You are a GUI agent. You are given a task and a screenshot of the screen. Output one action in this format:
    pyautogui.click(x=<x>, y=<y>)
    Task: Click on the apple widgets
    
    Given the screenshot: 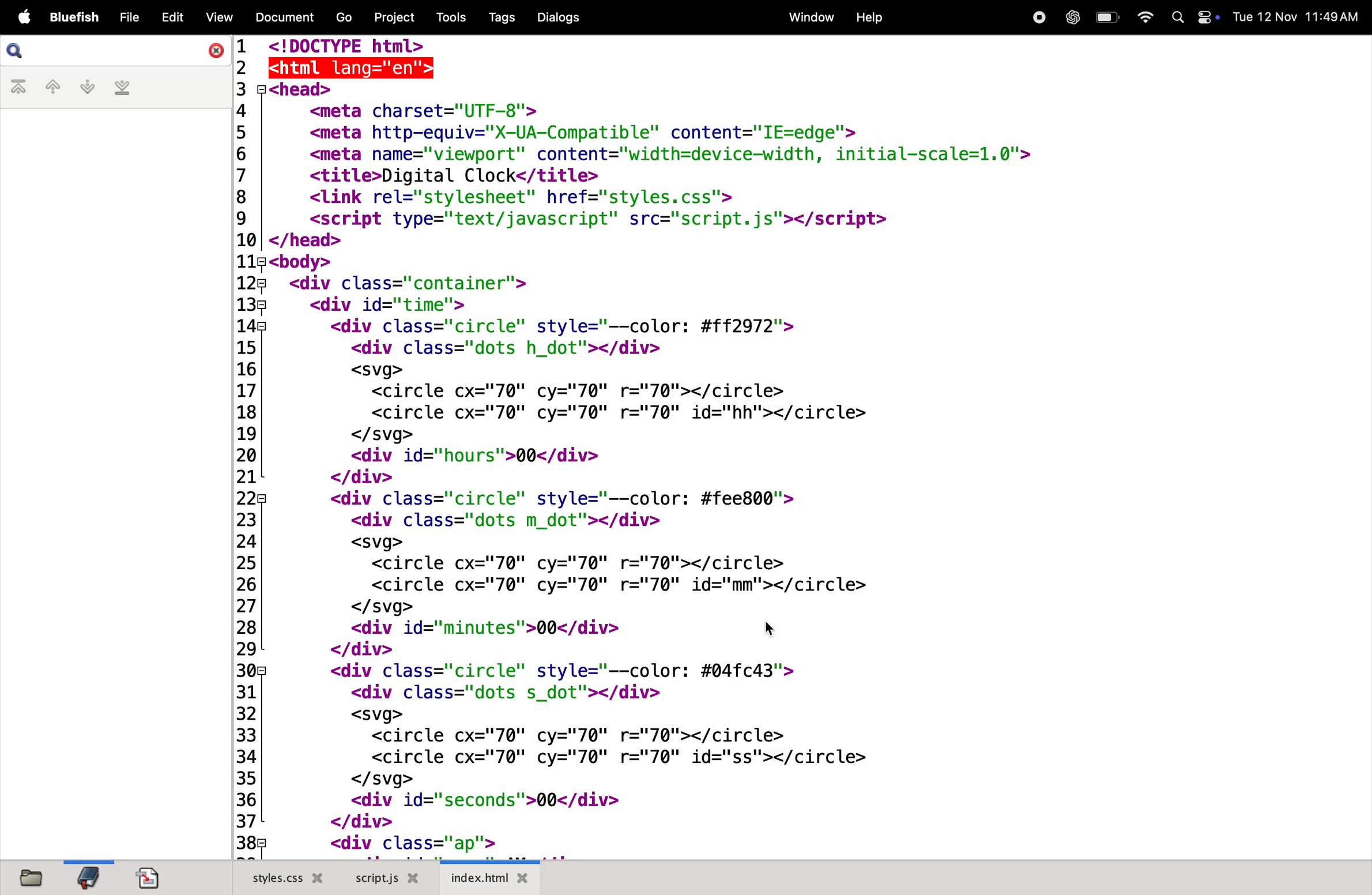 What is the action you would take?
    pyautogui.click(x=1197, y=17)
    